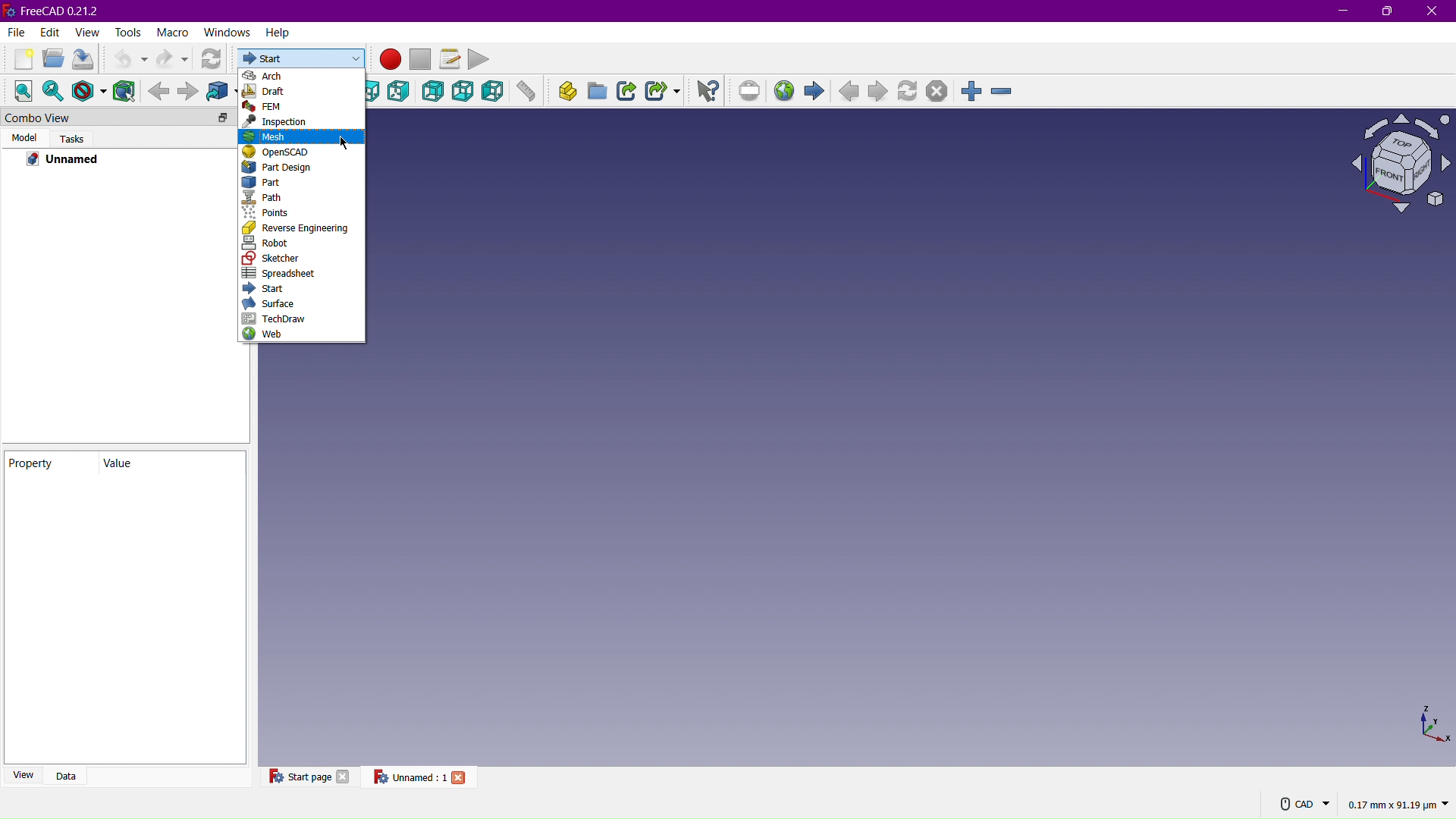 The width and height of the screenshot is (1456, 819). Describe the element at coordinates (629, 93) in the screenshot. I see `Link` at that location.